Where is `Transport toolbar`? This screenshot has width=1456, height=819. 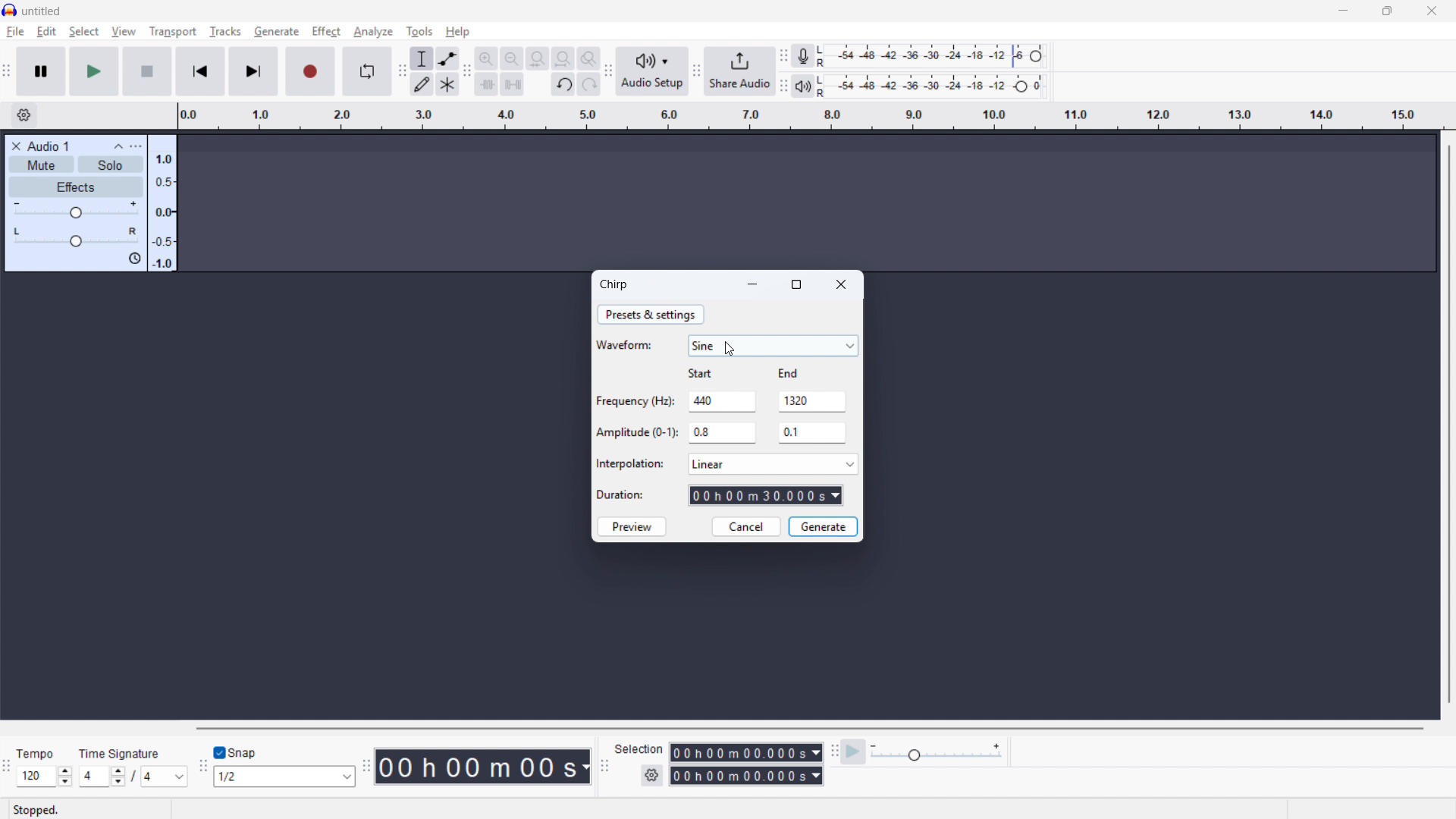
Transport toolbar is located at coordinates (7, 71).